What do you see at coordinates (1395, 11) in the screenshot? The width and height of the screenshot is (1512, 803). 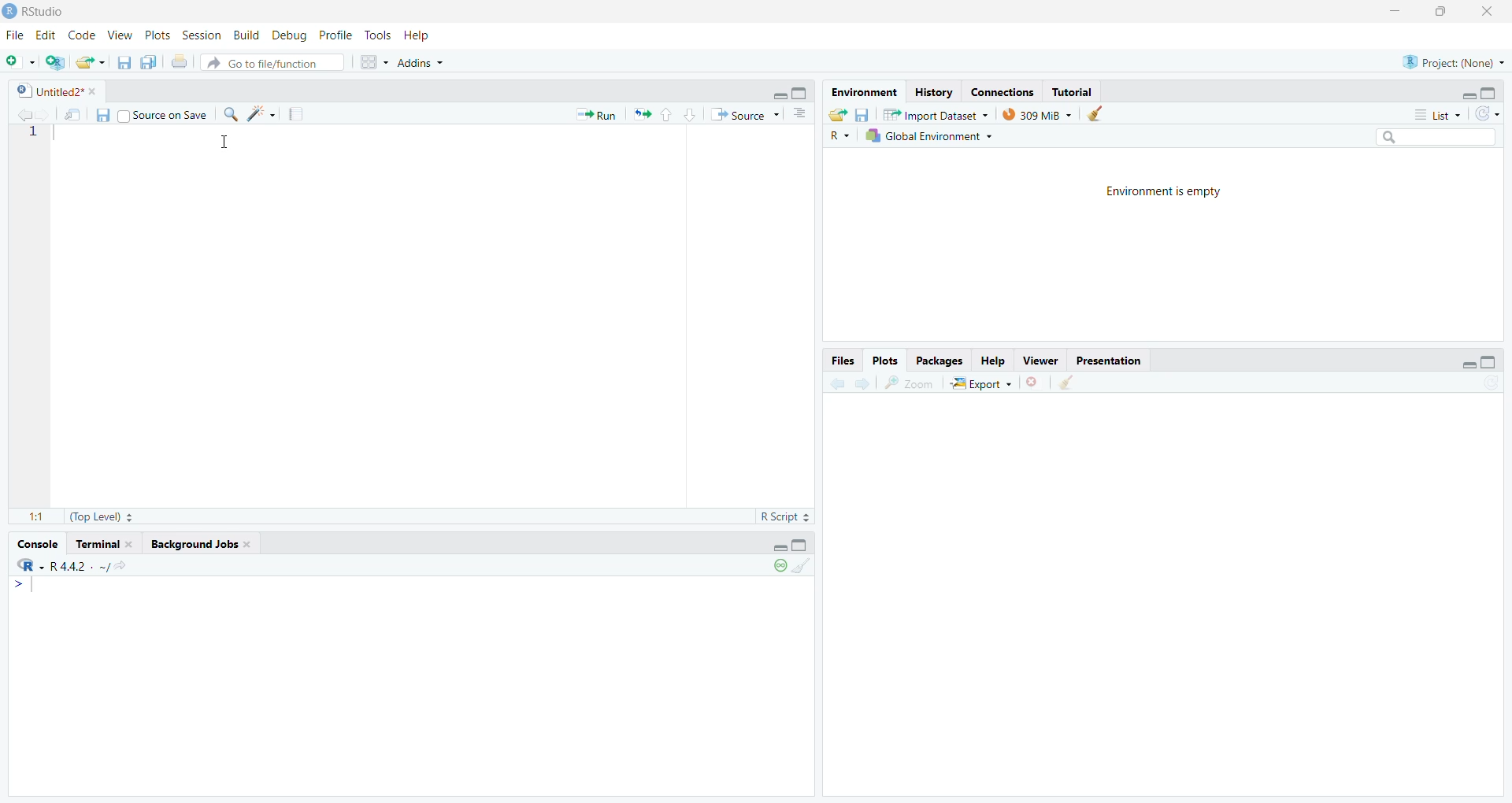 I see `minimise` at bounding box center [1395, 11].